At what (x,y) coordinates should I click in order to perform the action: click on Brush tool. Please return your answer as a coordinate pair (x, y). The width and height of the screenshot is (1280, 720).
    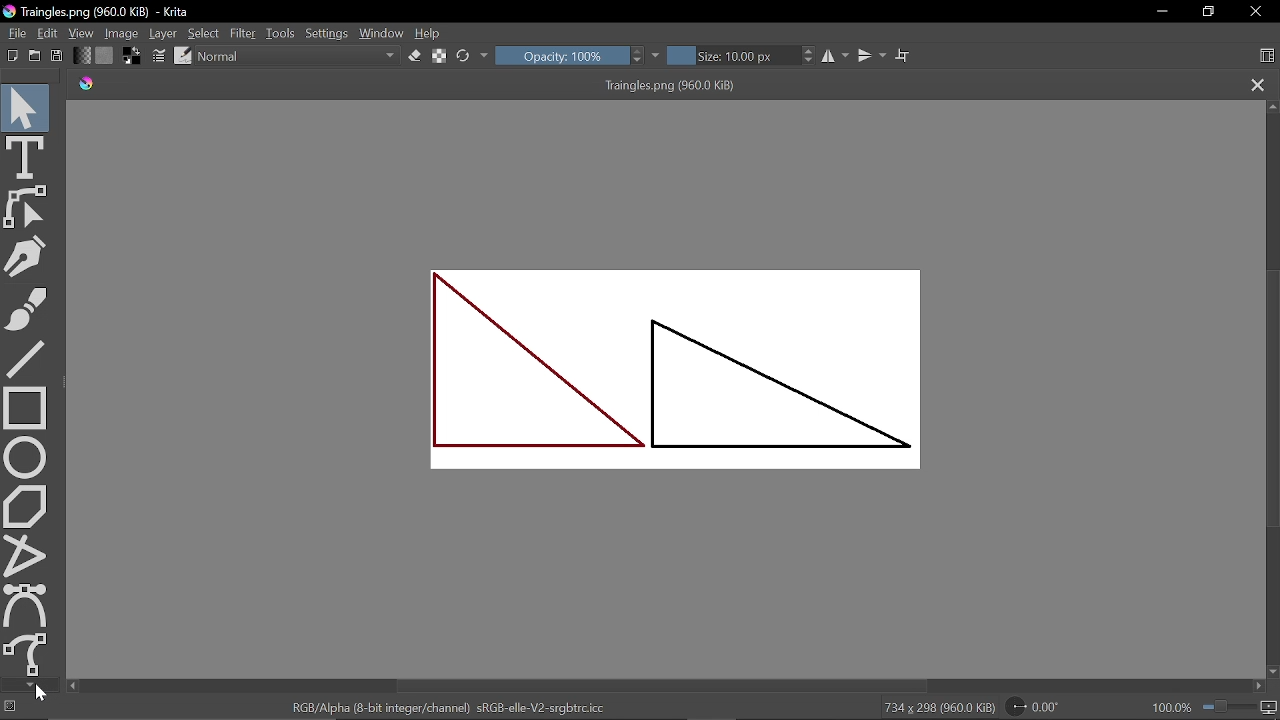
    Looking at the image, I should click on (28, 308).